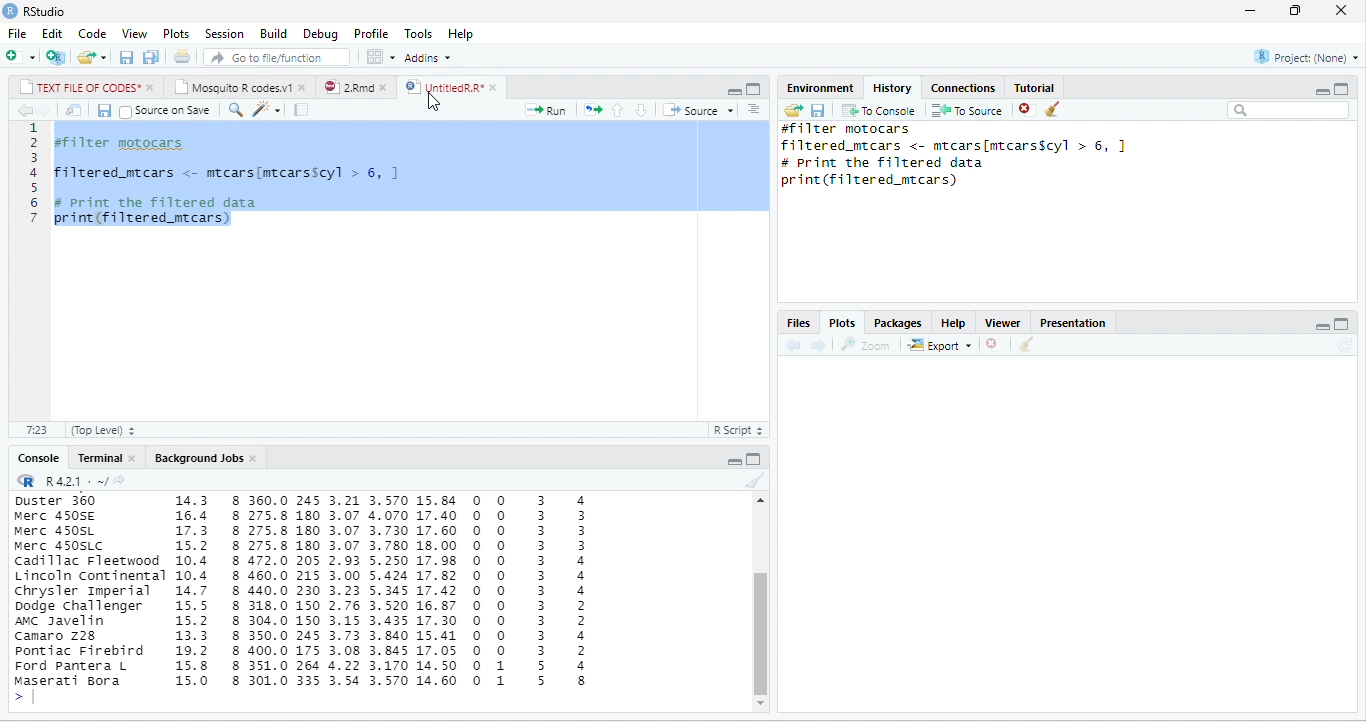 Image resolution: width=1366 pixels, height=722 pixels. What do you see at coordinates (197, 458) in the screenshot?
I see `Background Jobs` at bounding box center [197, 458].